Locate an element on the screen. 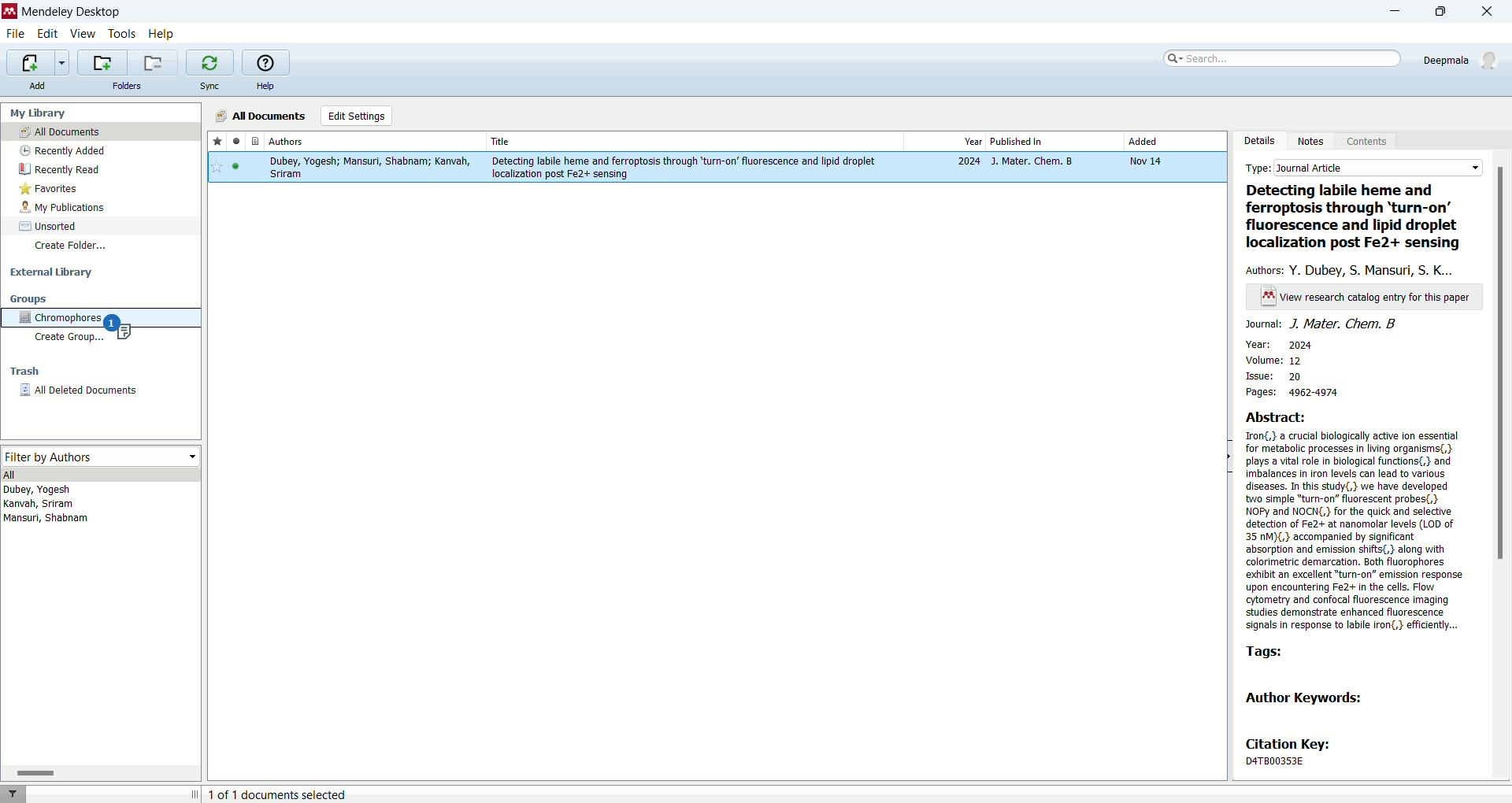  volume: 12 is located at coordinates (1272, 361).